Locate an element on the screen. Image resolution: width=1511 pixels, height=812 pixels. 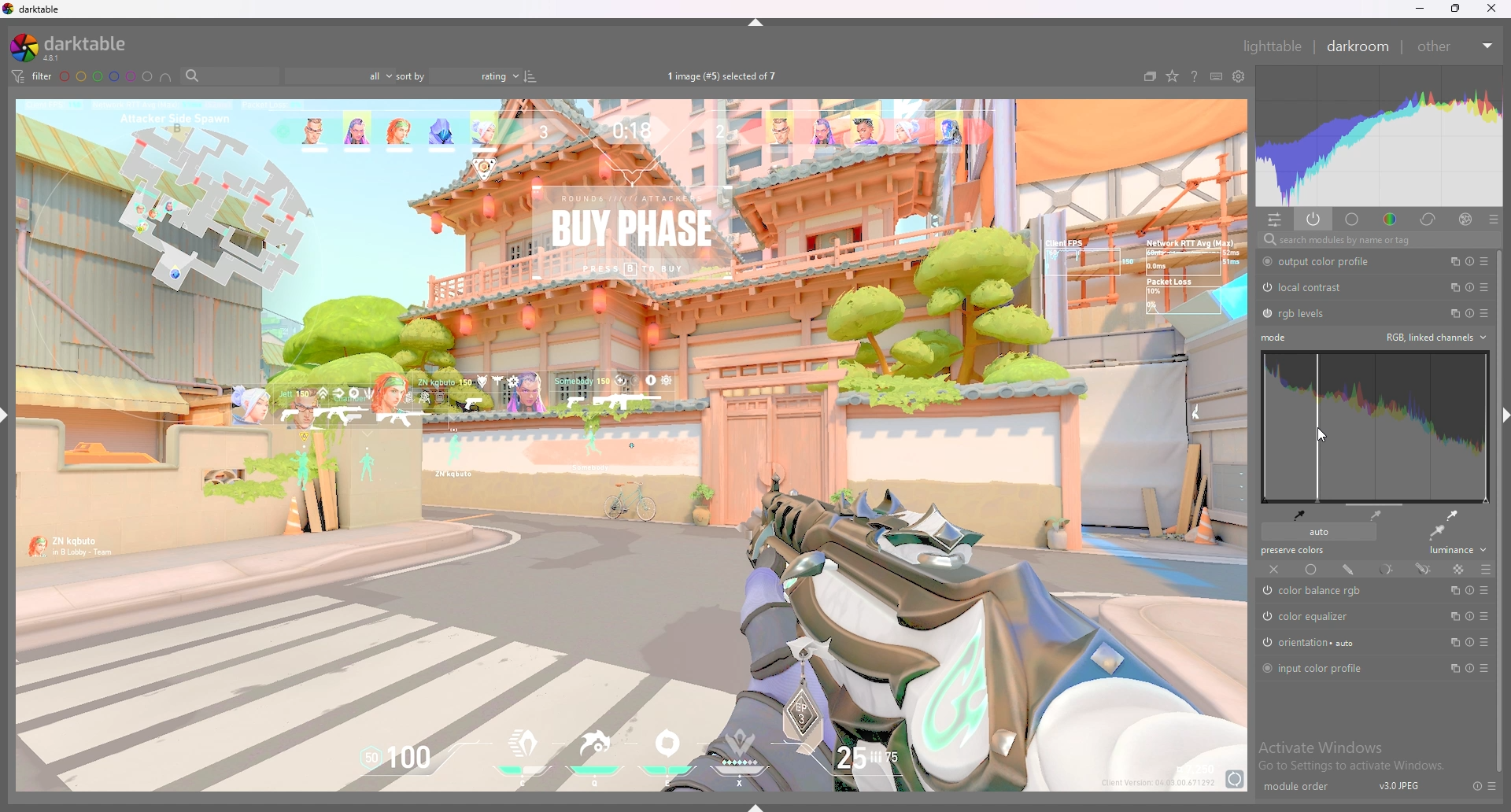
drawn mask is located at coordinates (1349, 569).